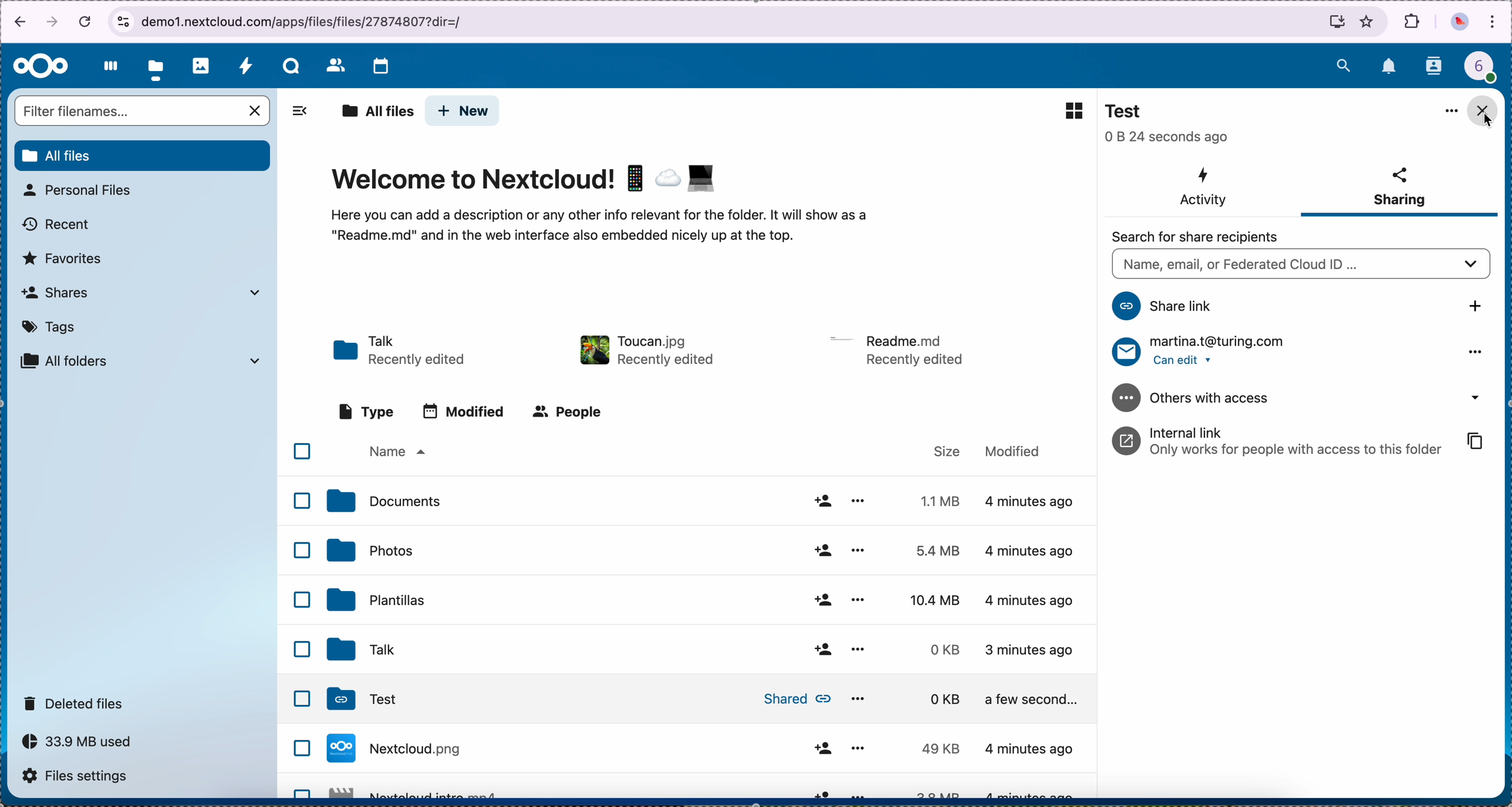  What do you see at coordinates (79, 779) in the screenshot?
I see `files settings` at bounding box center [79, 779].